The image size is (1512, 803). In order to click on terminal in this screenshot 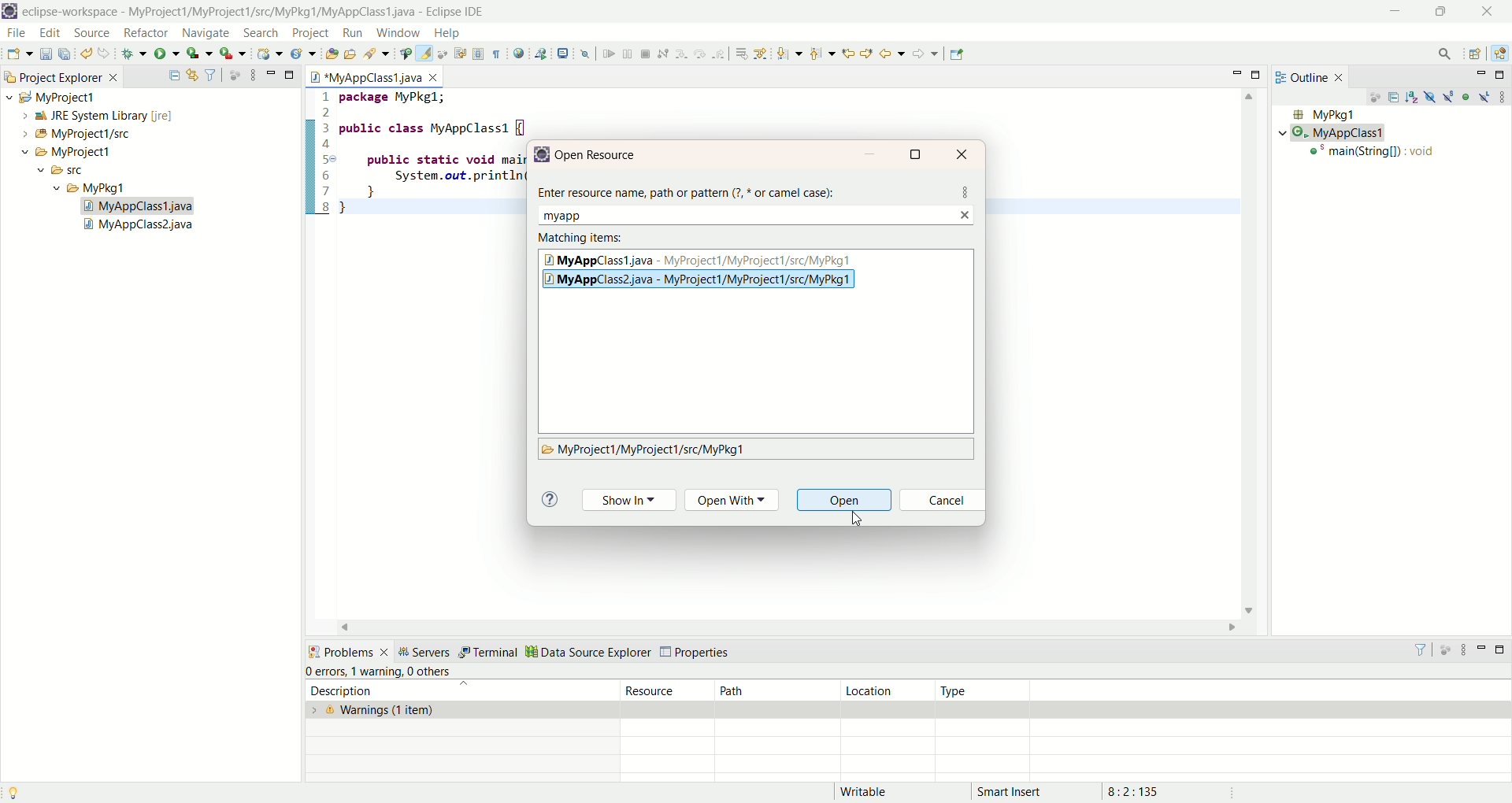, I will do `click(487, 653)`.